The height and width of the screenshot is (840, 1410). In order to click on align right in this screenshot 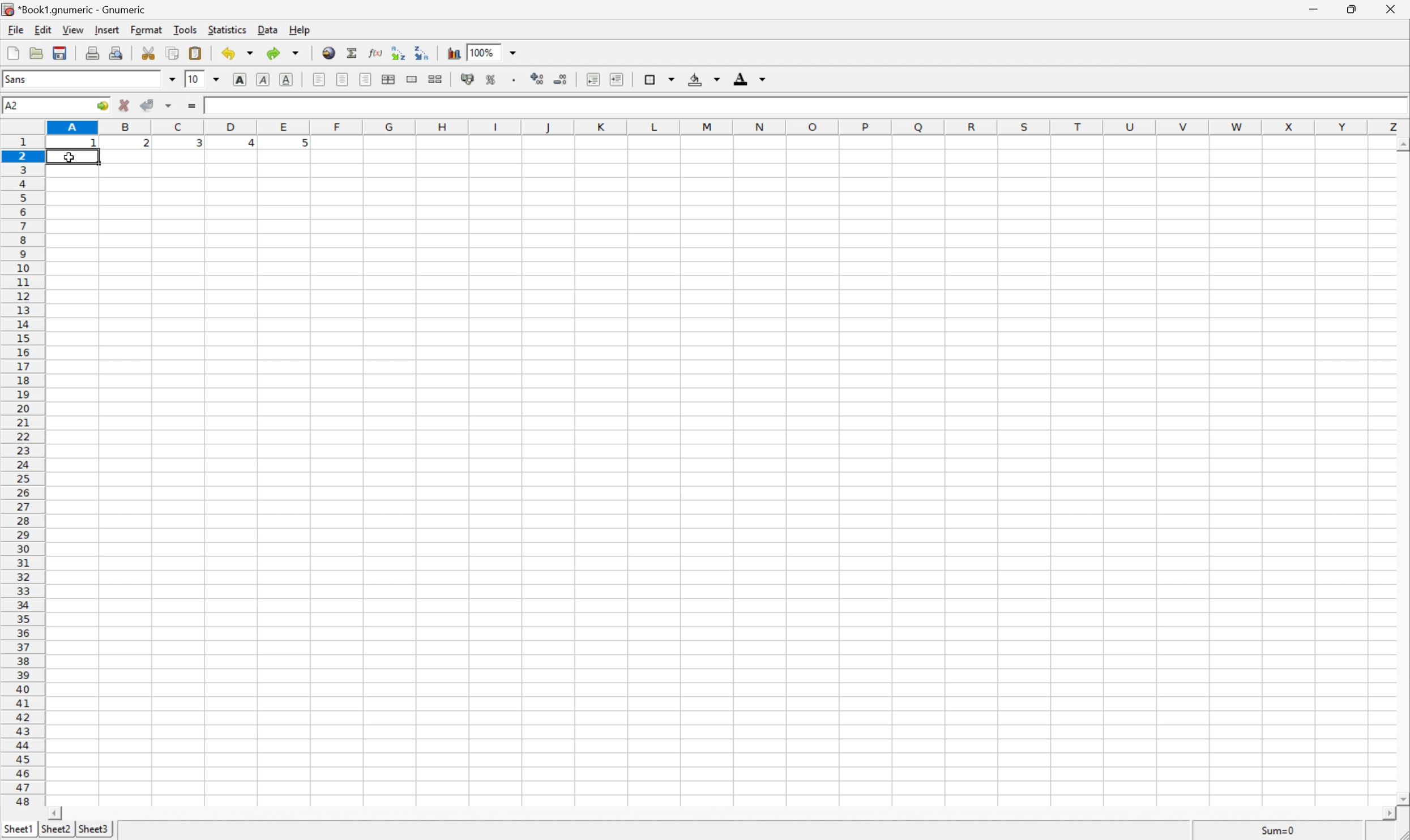, I will do `click(366, 79)`.